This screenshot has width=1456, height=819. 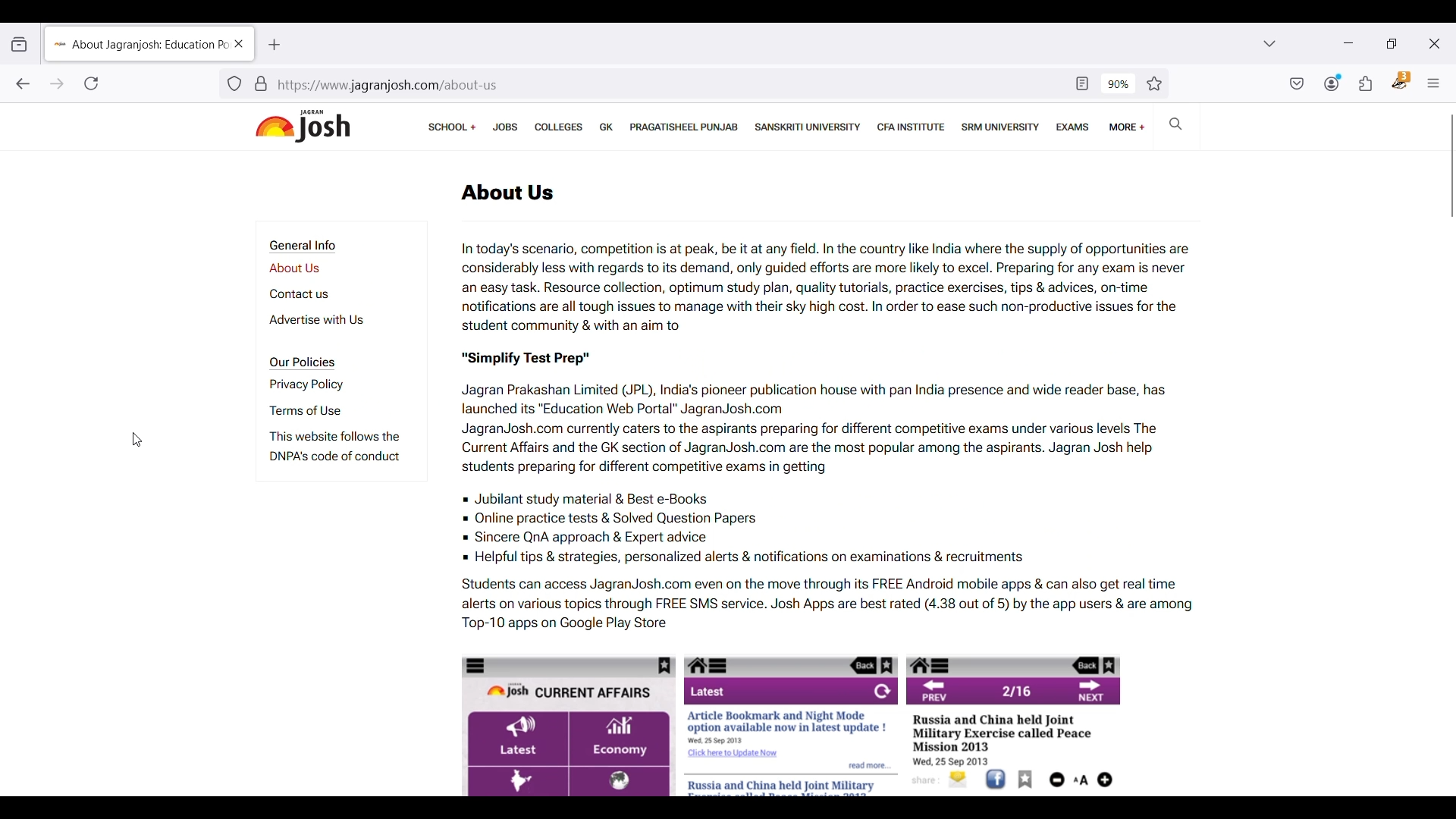 What do you see at coordinates (1401, 80) in the screenshot?
I see `Privacy badger` at bounding box center [1401, 80].